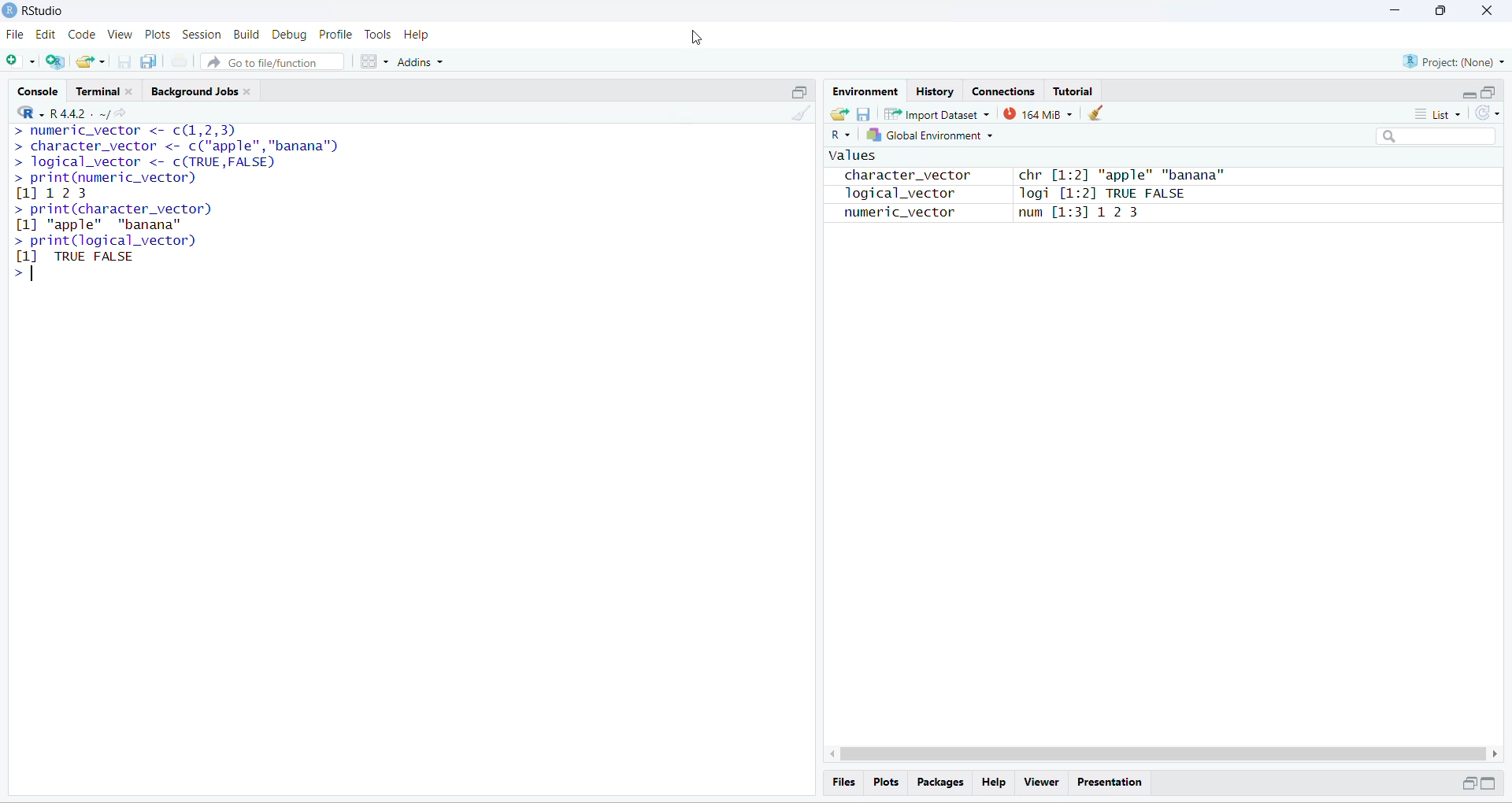  Describe the element at coordinates (929, 135) in the screenshot. I see `global Environment` at that location.